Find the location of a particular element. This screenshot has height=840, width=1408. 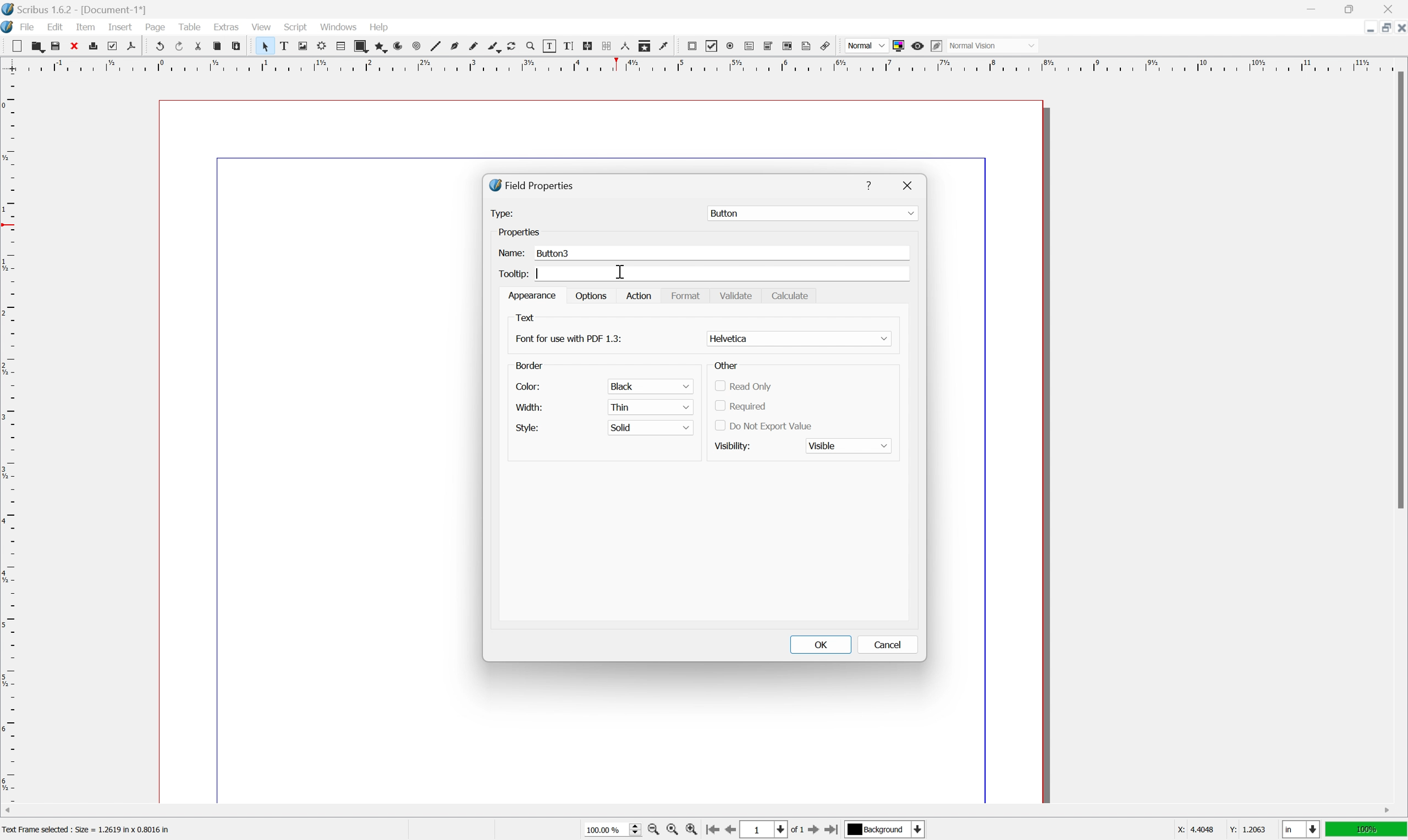

Help is located at coordinates (868, 186).